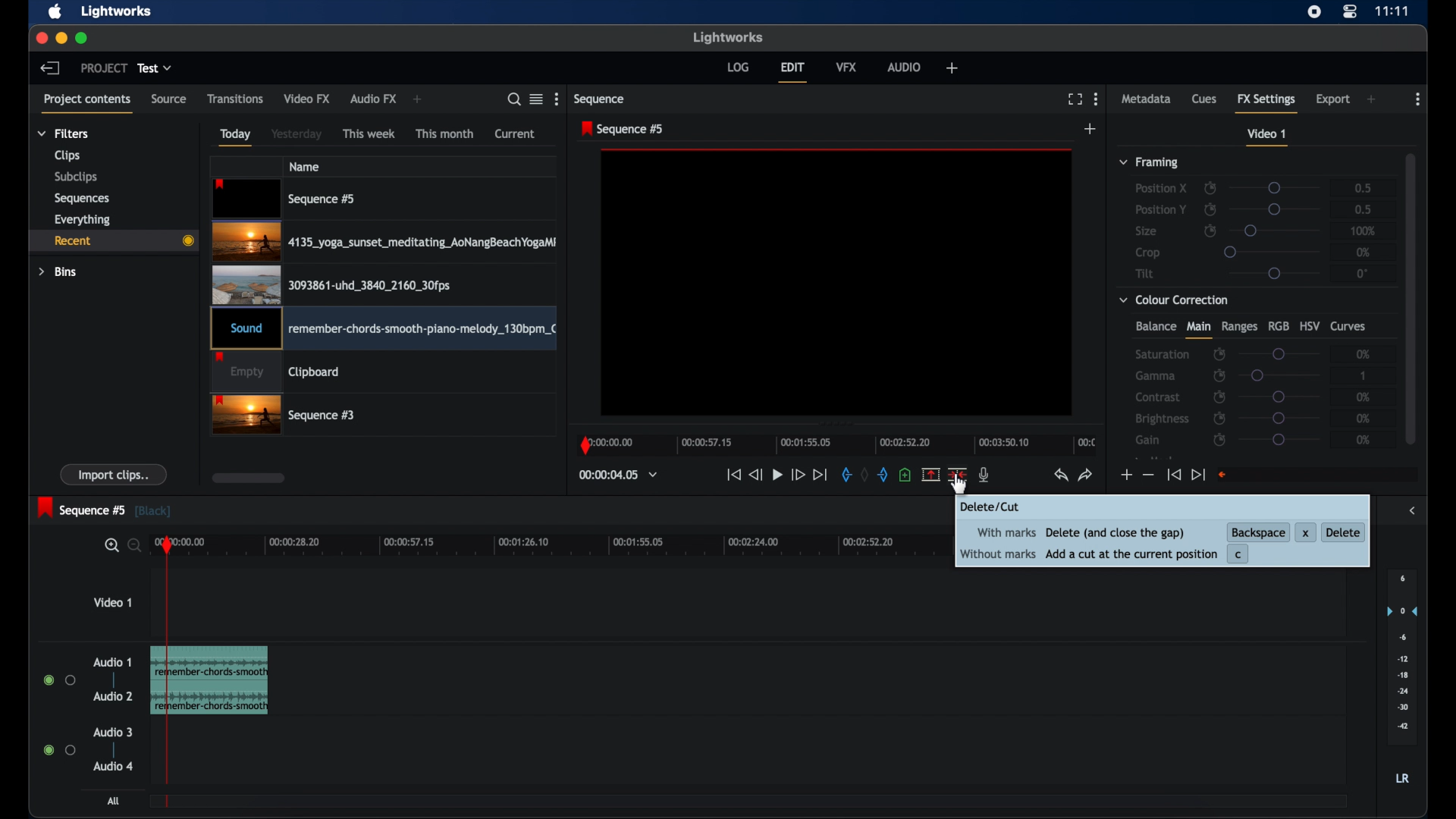 The height and width of the screenshot is (819, 1456). I want to click on tooltip, so click(997, 507).